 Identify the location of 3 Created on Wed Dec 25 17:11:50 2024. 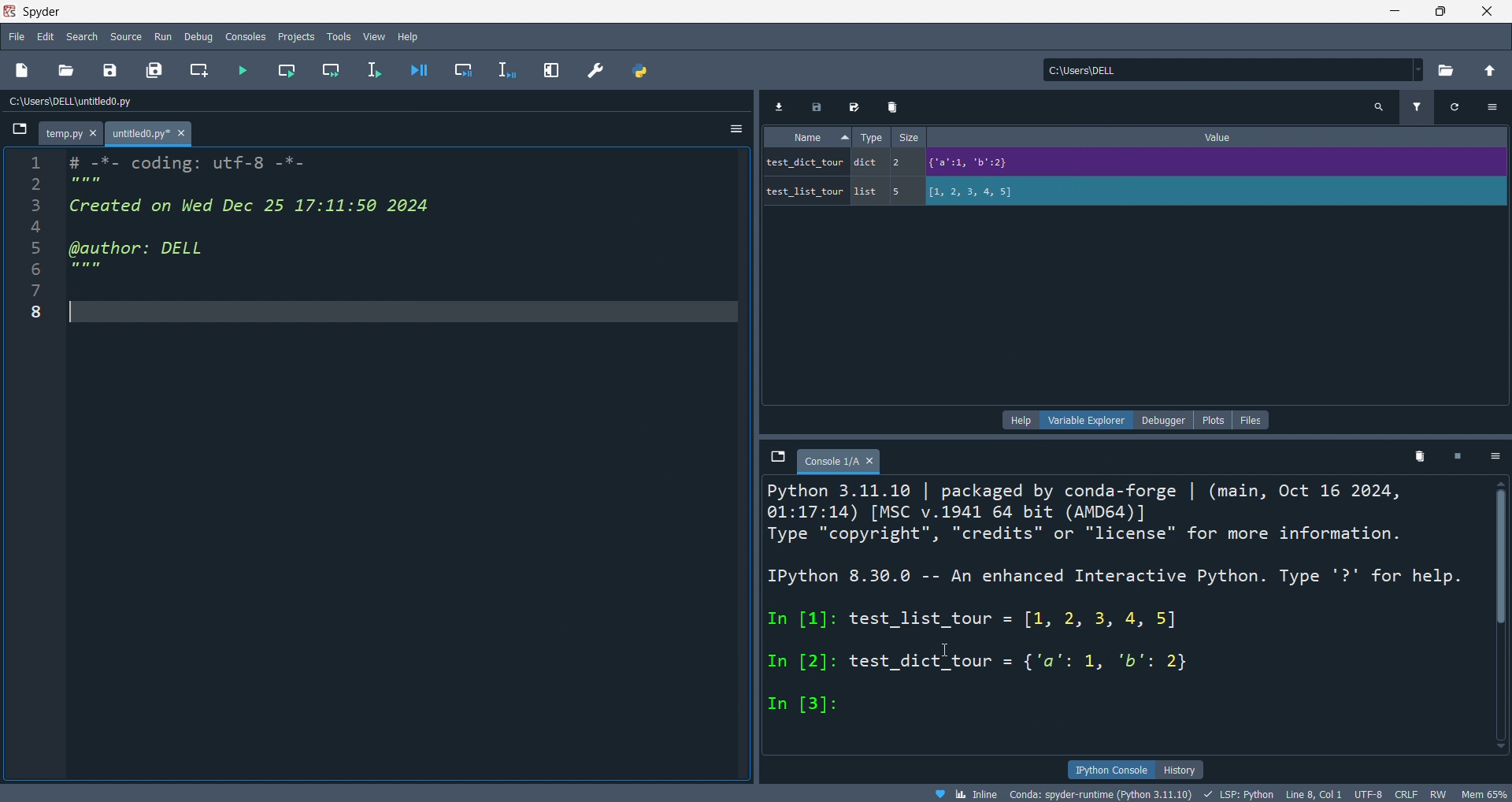
(239, 206).